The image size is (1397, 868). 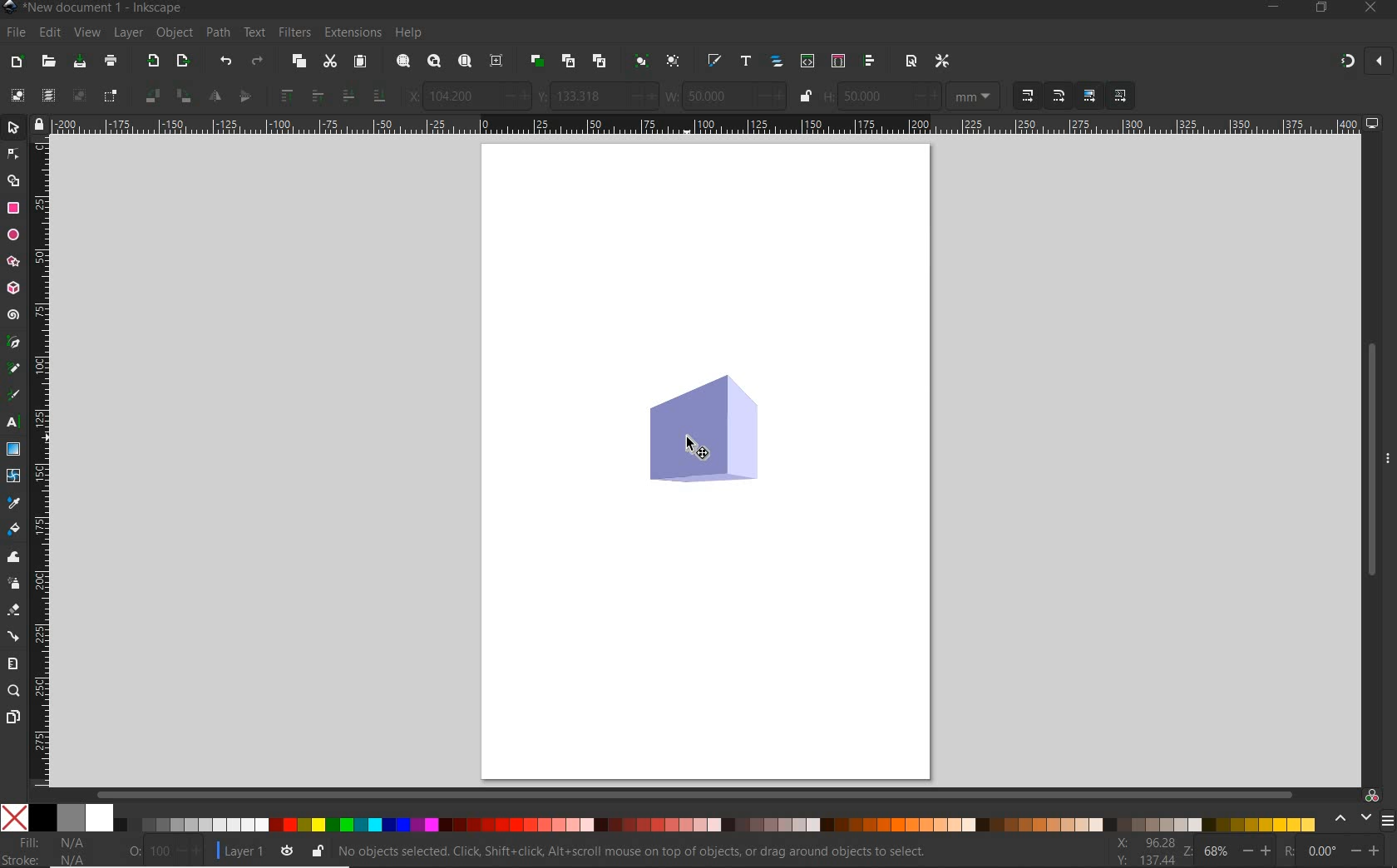 I want to click on open selectors, so click(x=837, y=60).